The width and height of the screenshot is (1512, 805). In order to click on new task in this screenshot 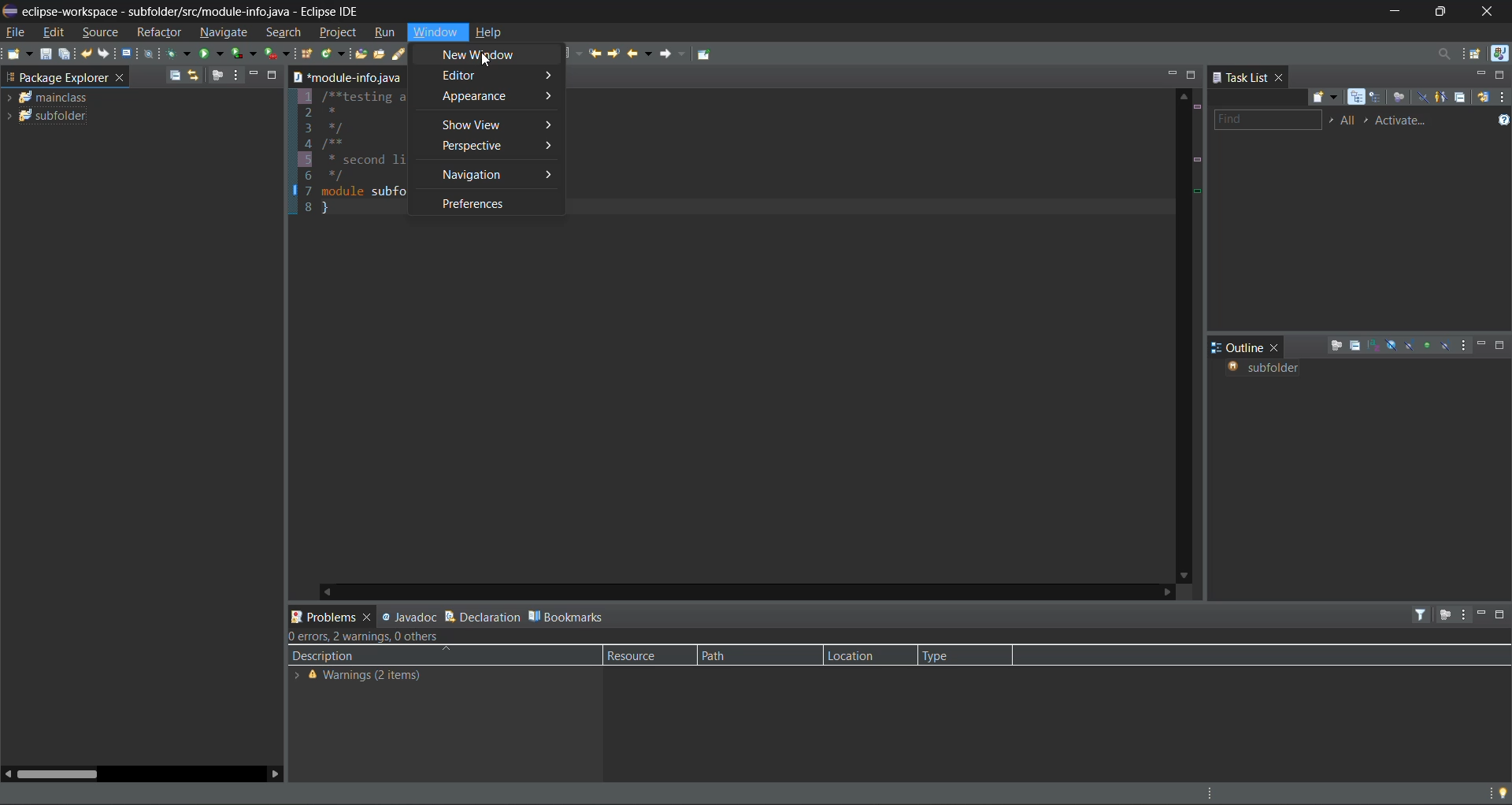, I will do `click(1327, 97)`.